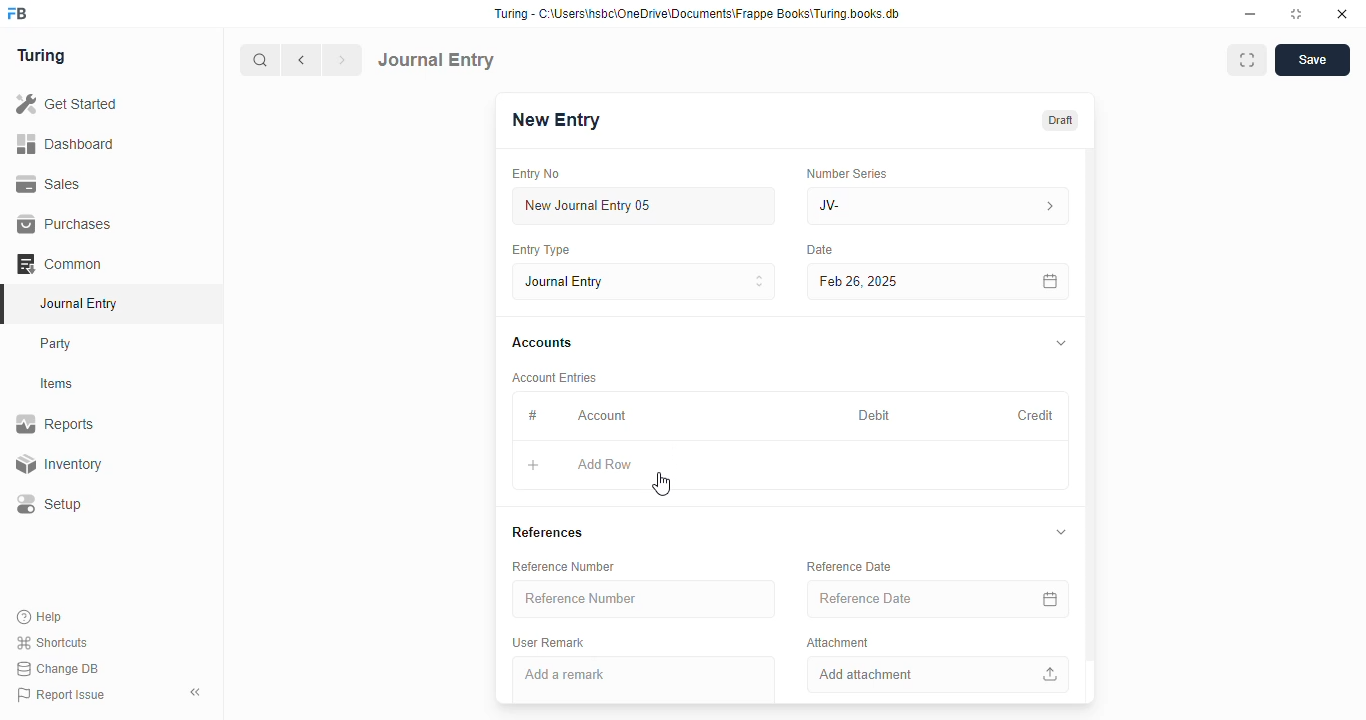  I want to click on reference number, so click(563, 567).